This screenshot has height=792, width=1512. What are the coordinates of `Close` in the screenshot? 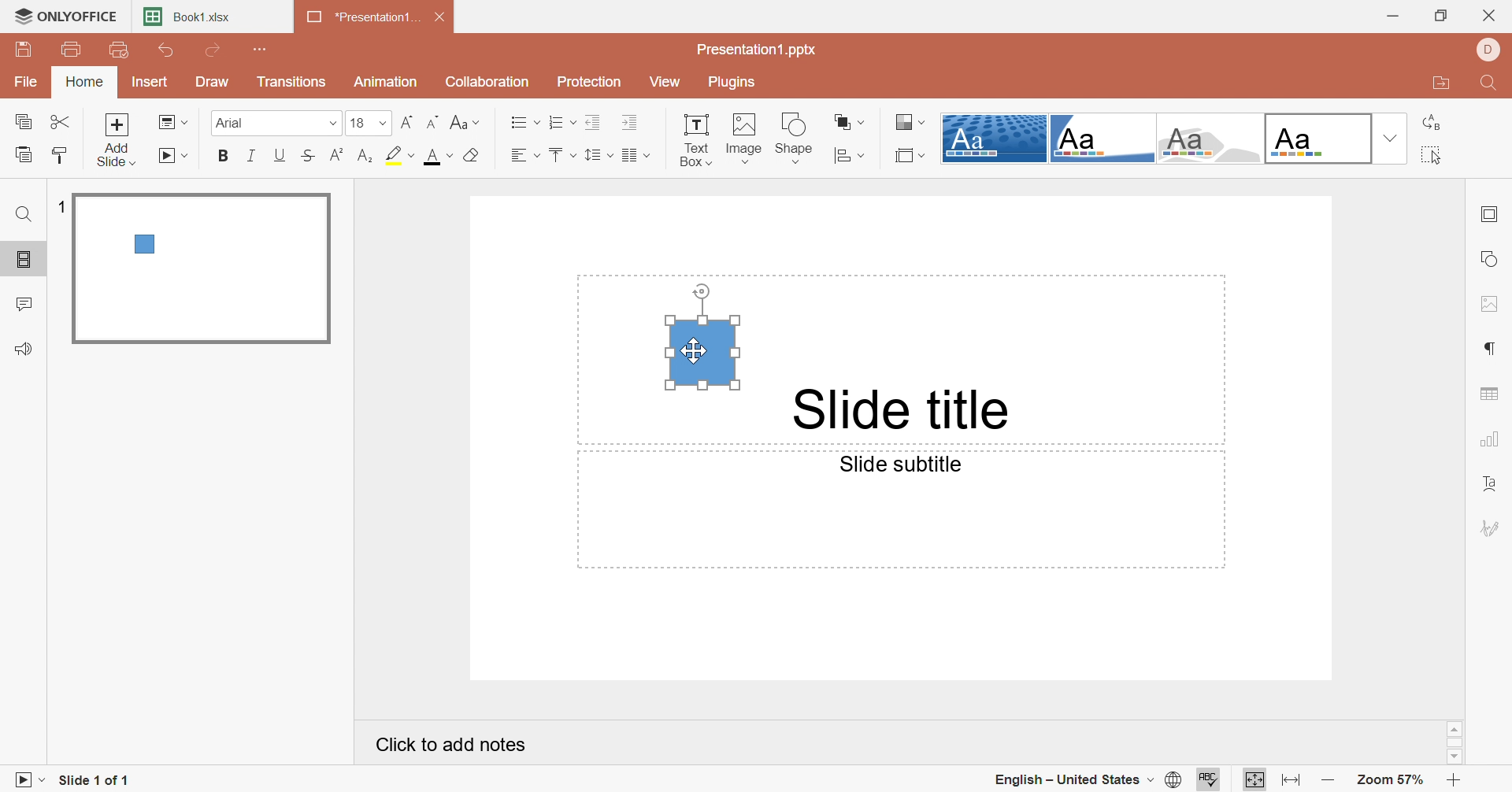 It's located at (1492, 17).